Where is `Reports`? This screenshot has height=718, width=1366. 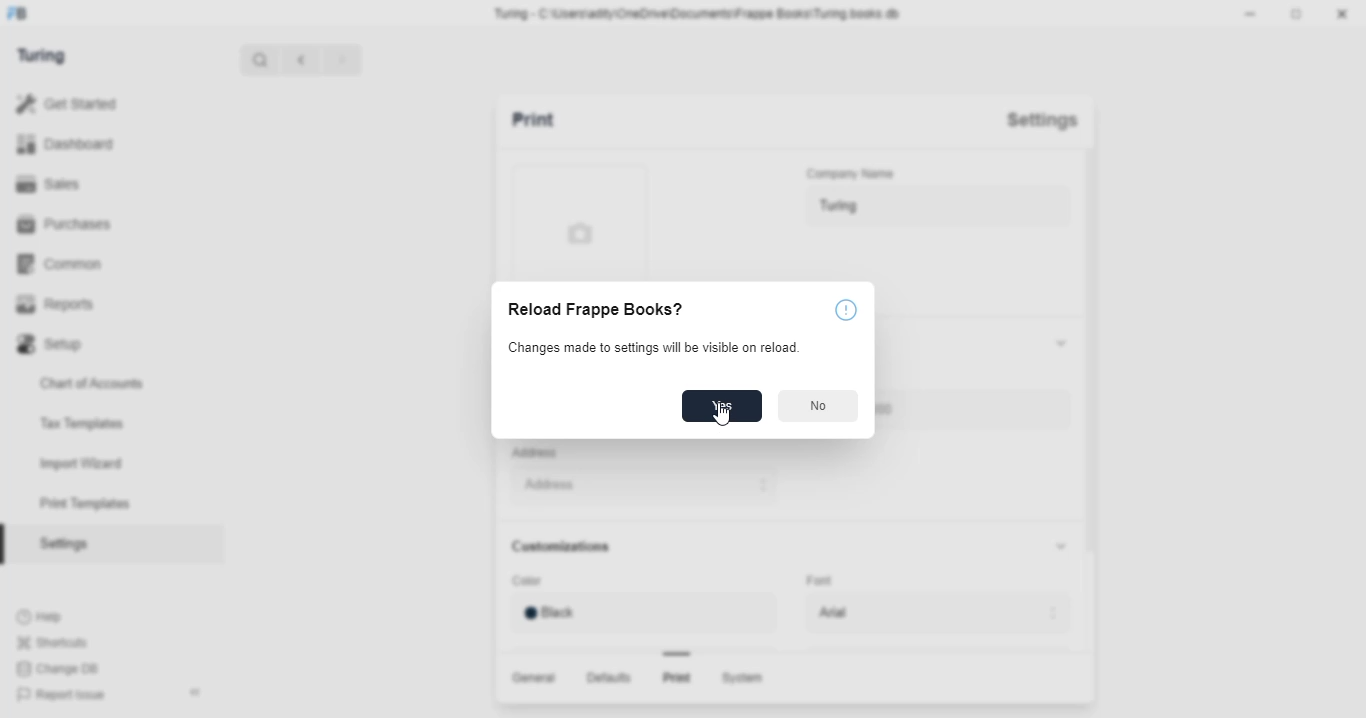
Reports is located at coordinates (63, 305).